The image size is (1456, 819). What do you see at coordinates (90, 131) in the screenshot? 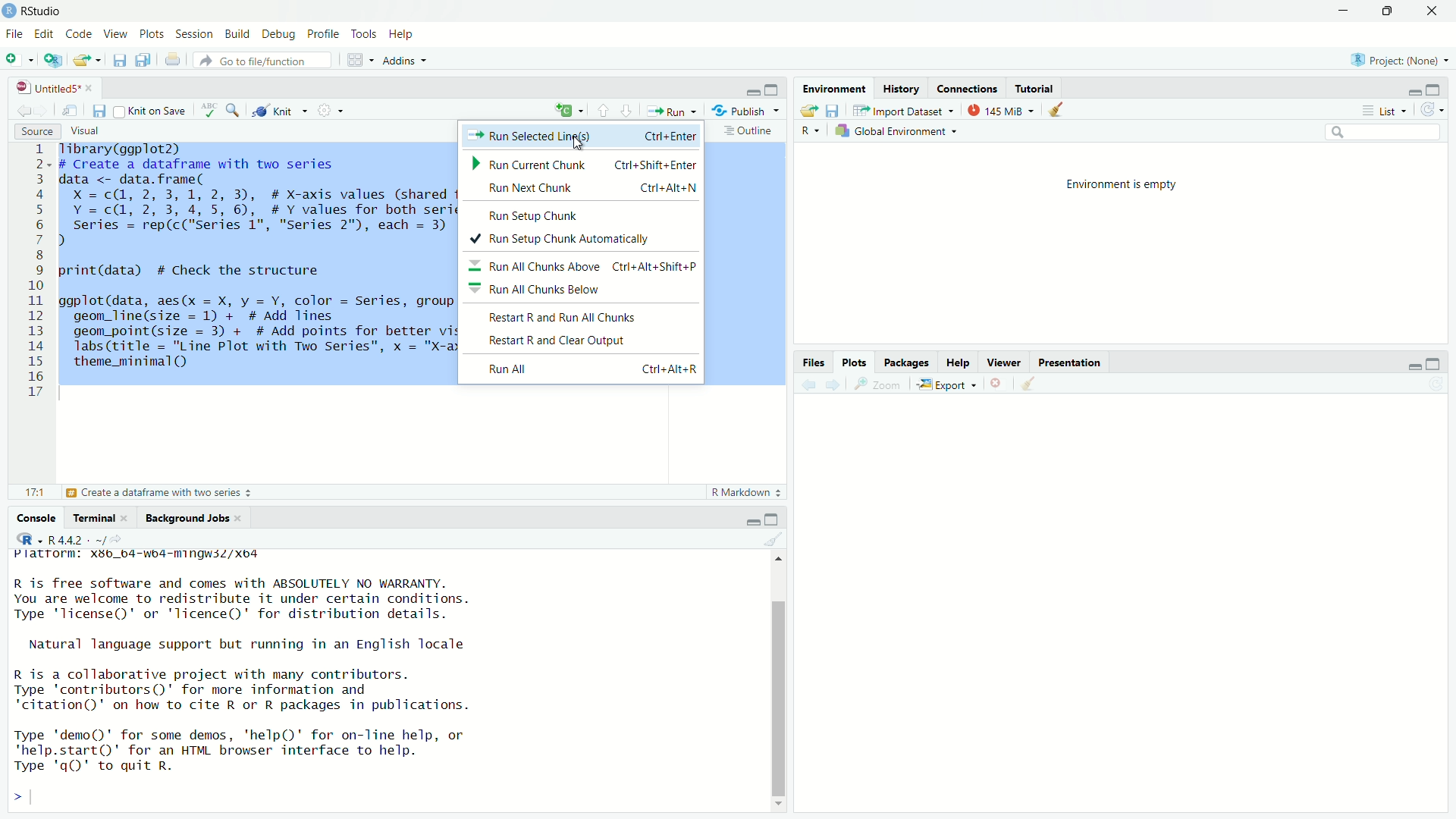
I see `Visual` at bounding box center [90, 131].